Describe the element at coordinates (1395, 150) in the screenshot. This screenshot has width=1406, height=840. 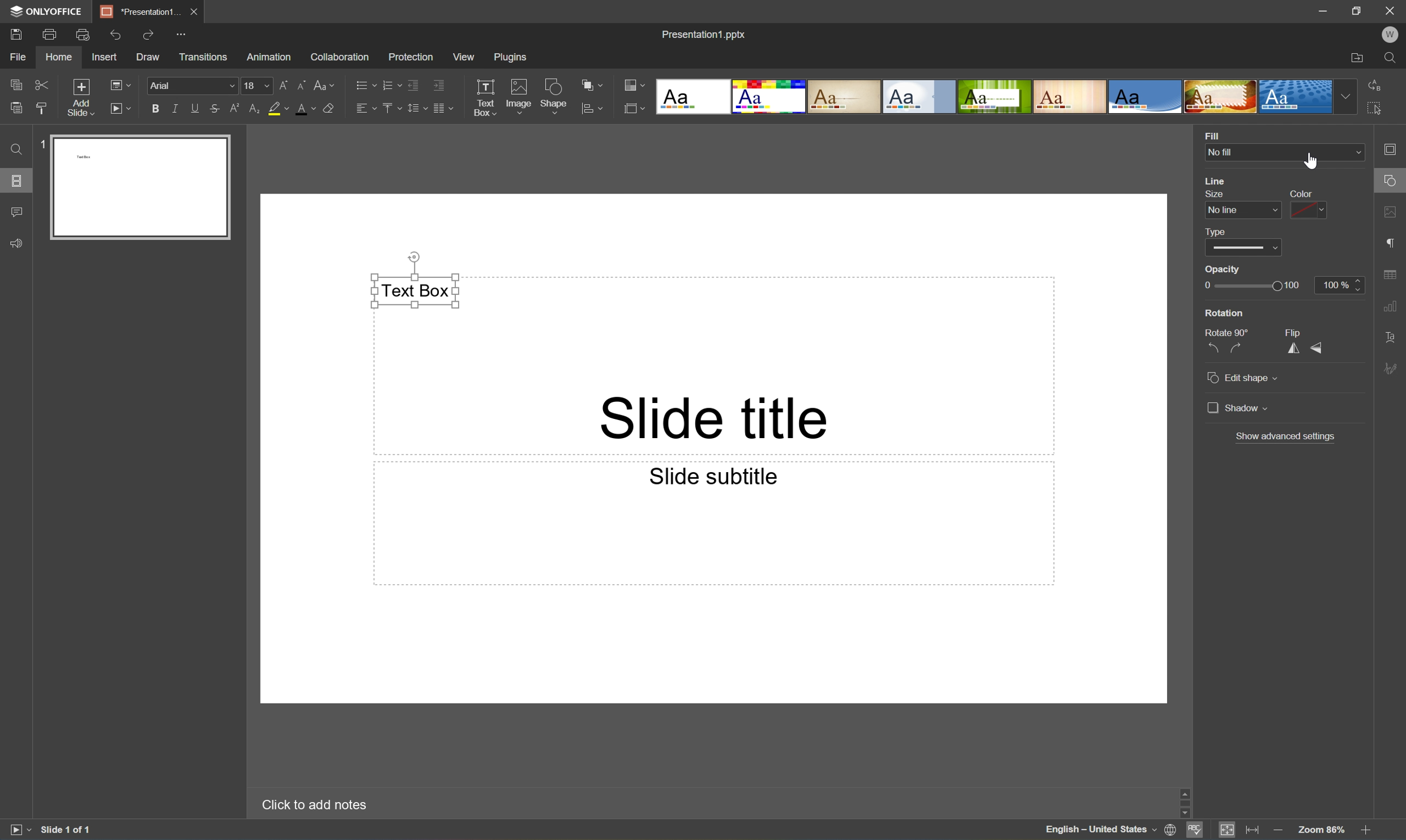
I see `Slide settings` at that location.